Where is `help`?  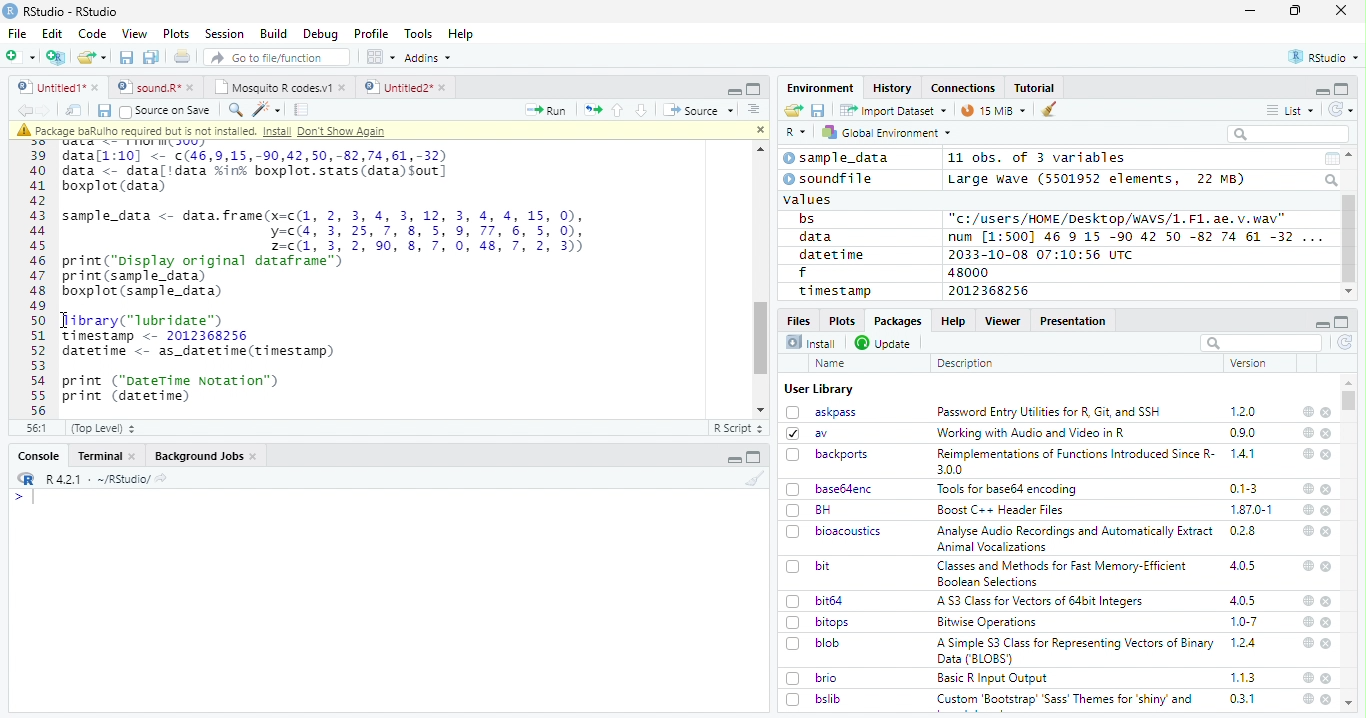
help is located at coordinates (1308, 677).